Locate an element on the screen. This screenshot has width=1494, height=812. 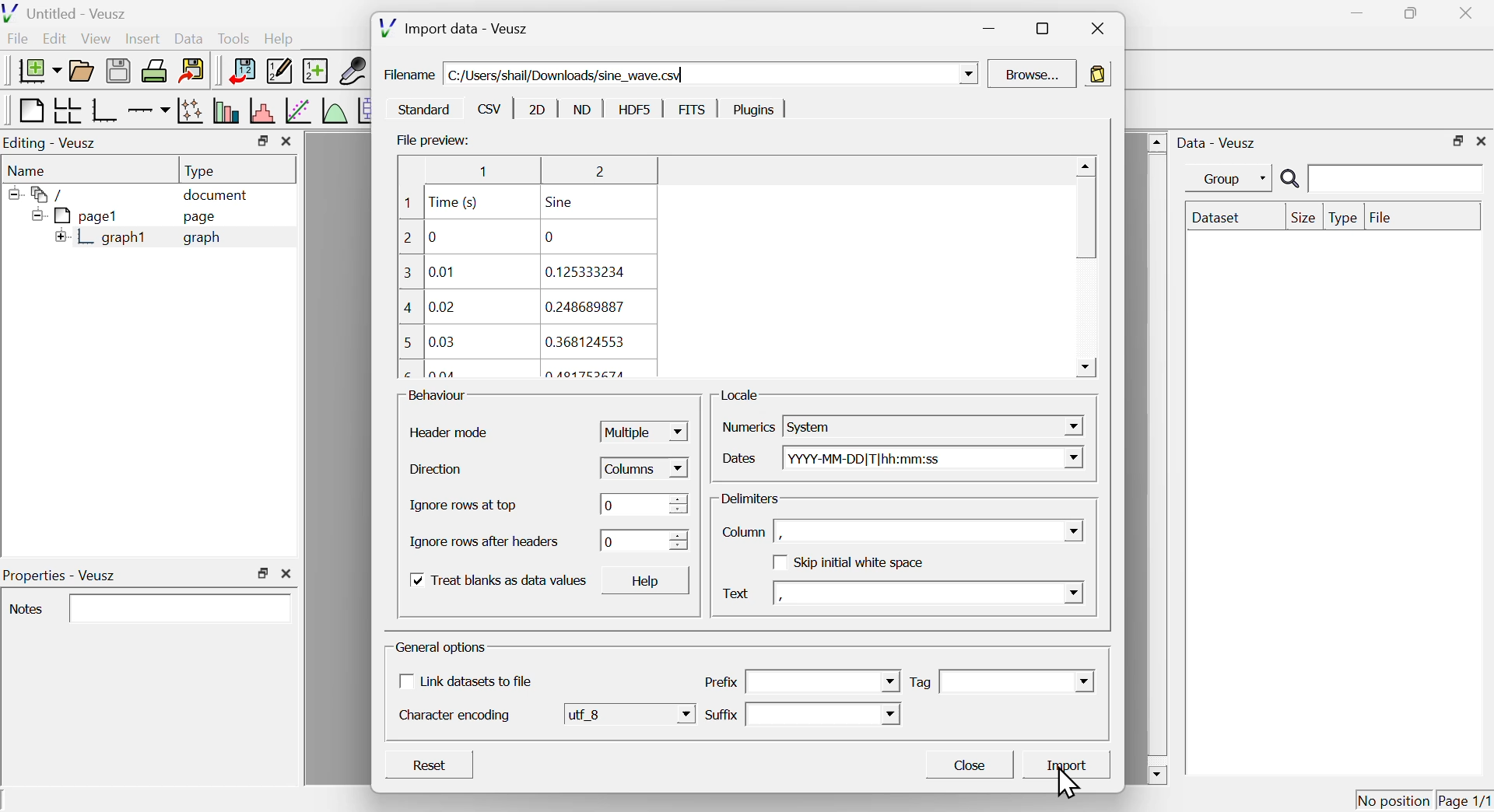
Direction is located at coordinates (437, 472).